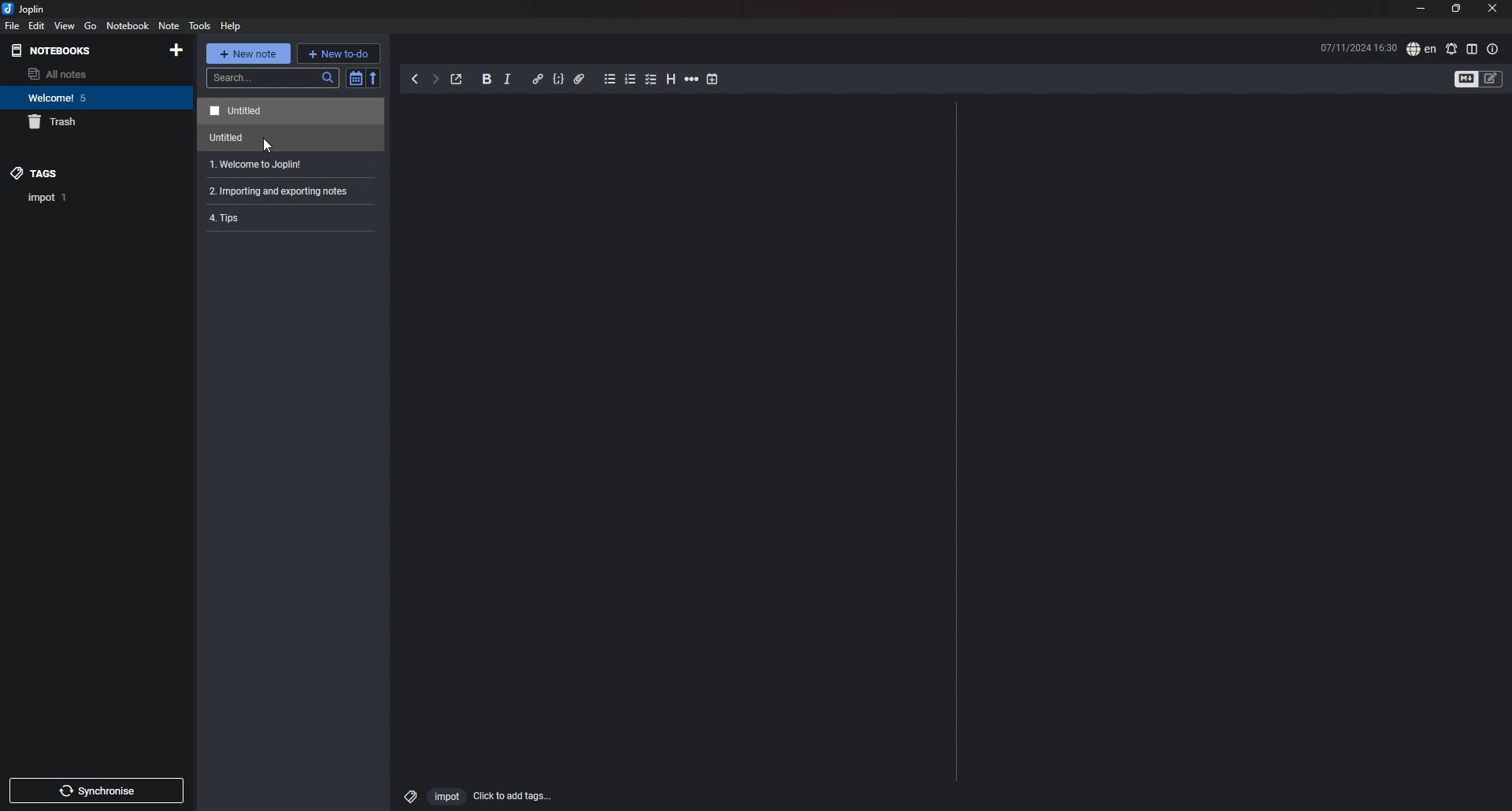 The width and height of the screenshot is (1512, 811). What do you see at coordinates (35, 25) in the screenshot?
I see `edit` at bounding box center [35, 25].